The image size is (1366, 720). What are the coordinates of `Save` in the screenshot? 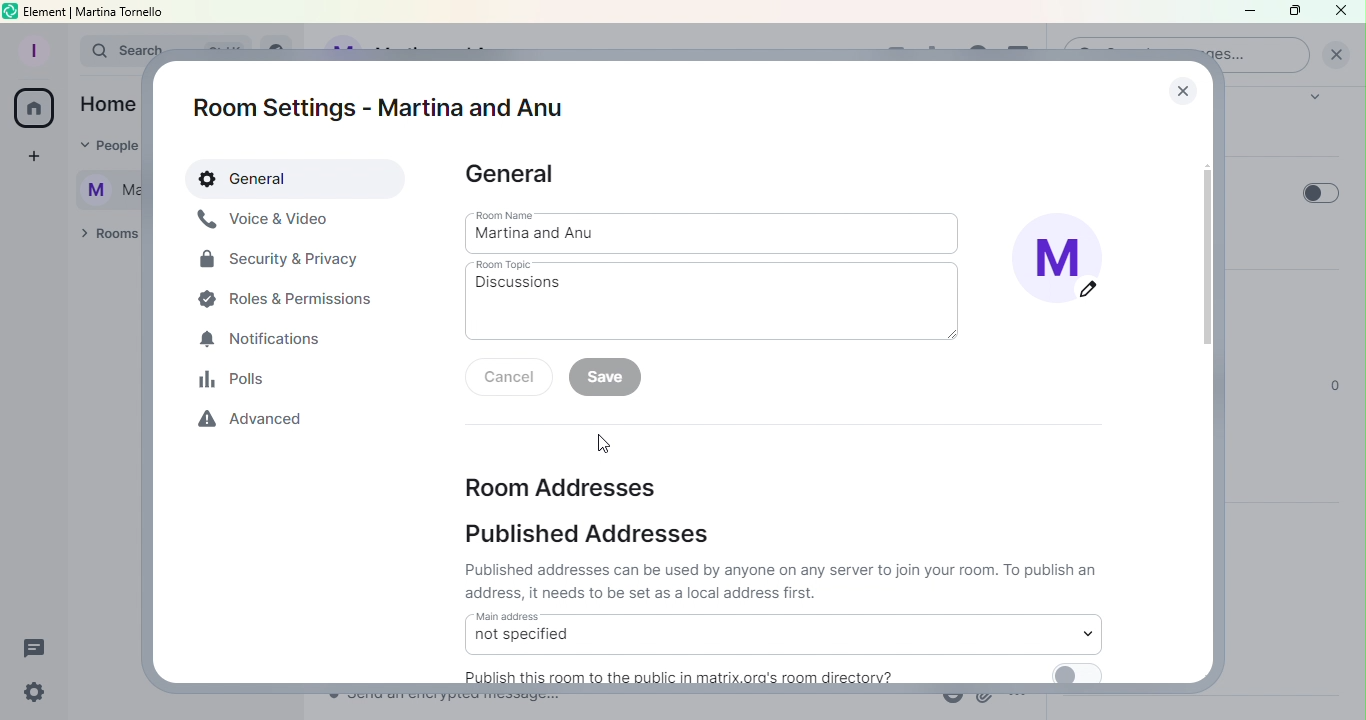 It's located at (610, 378).